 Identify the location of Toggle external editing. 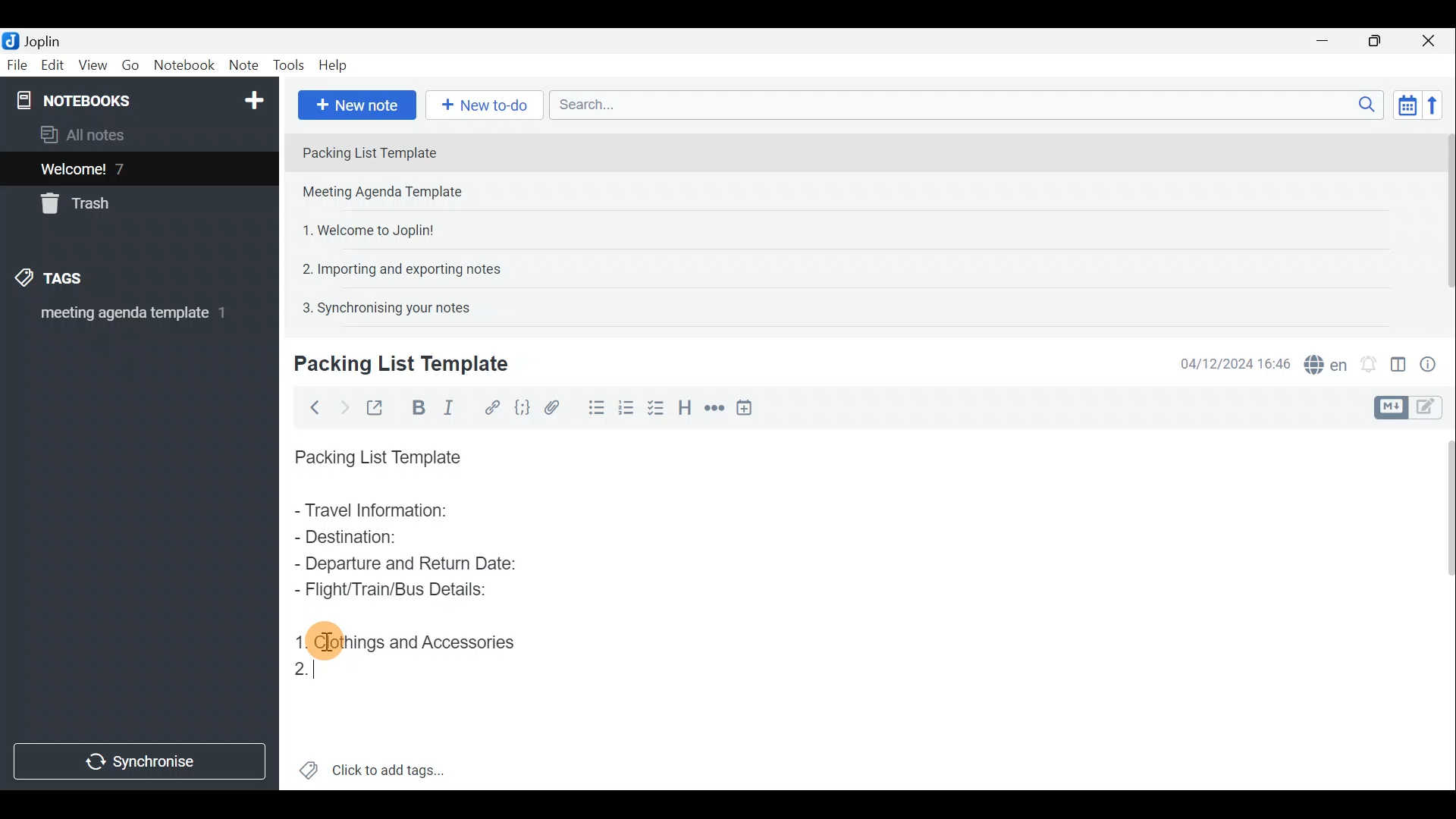
(376, 406).